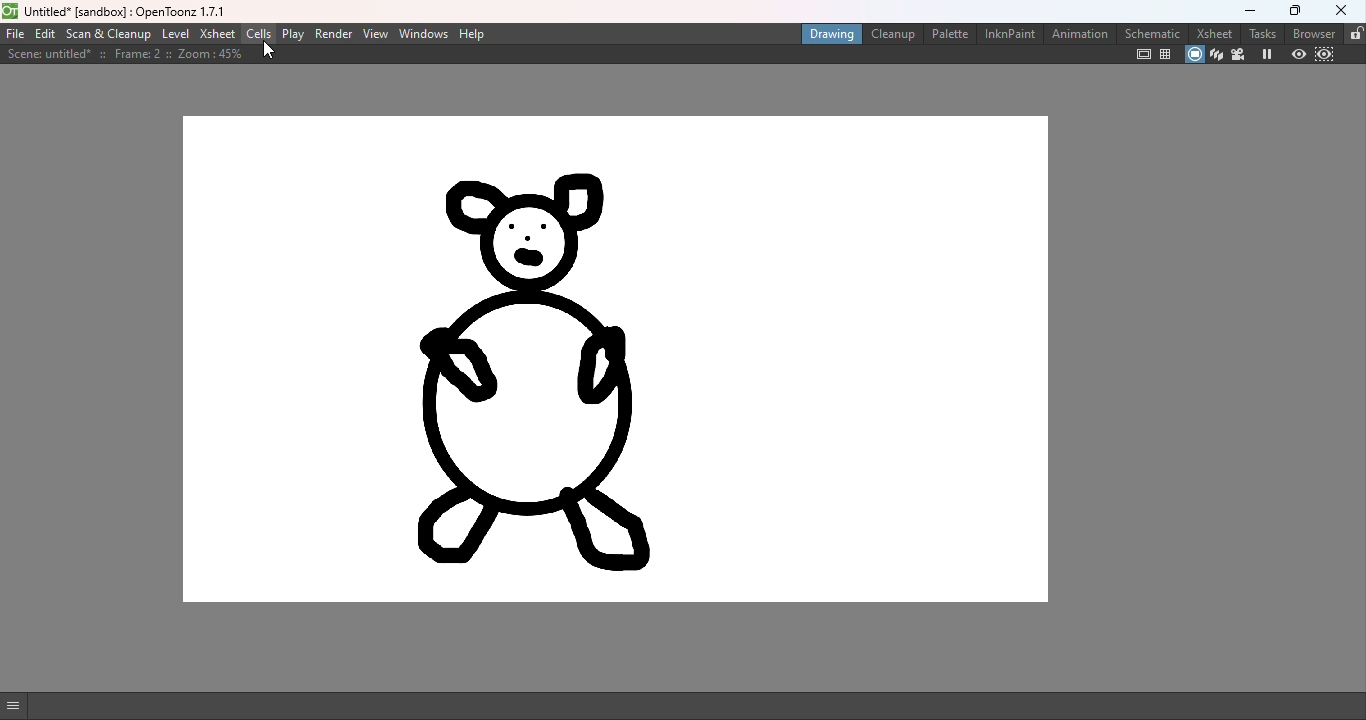  I want to click on Edit, so click(45, 35).